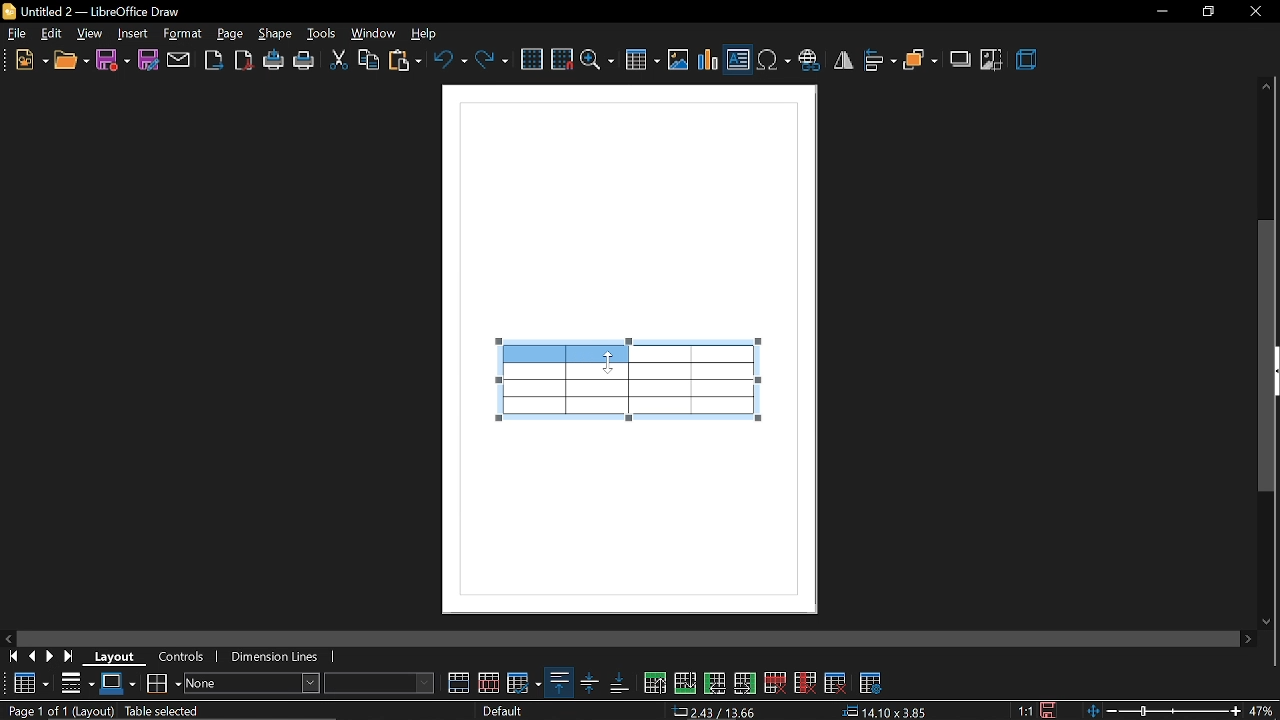 This screenshot has height=720, width=1280. What do you see at coordinates (773, 57) in the screenshot?
I see `insert symbol` at bounding box center [773, 57].